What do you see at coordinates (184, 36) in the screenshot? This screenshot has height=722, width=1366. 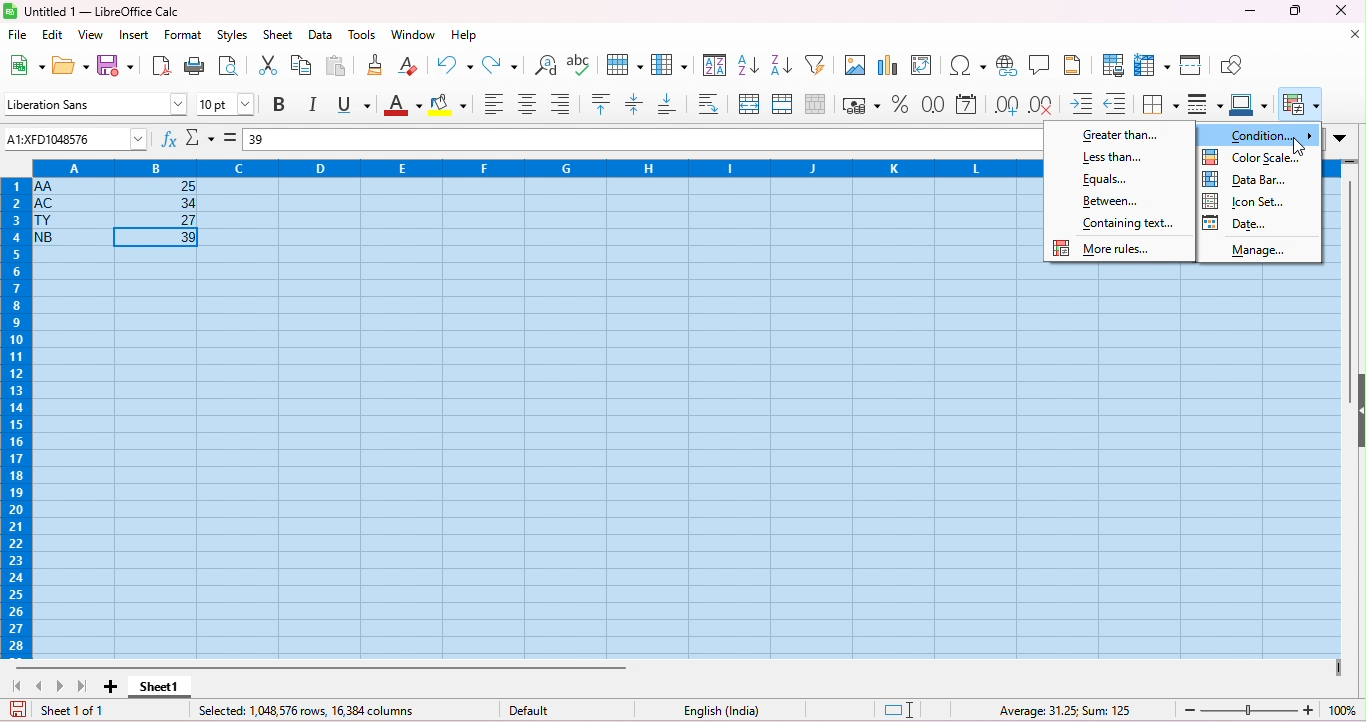 I see `format` at bounding box center [184, 36].